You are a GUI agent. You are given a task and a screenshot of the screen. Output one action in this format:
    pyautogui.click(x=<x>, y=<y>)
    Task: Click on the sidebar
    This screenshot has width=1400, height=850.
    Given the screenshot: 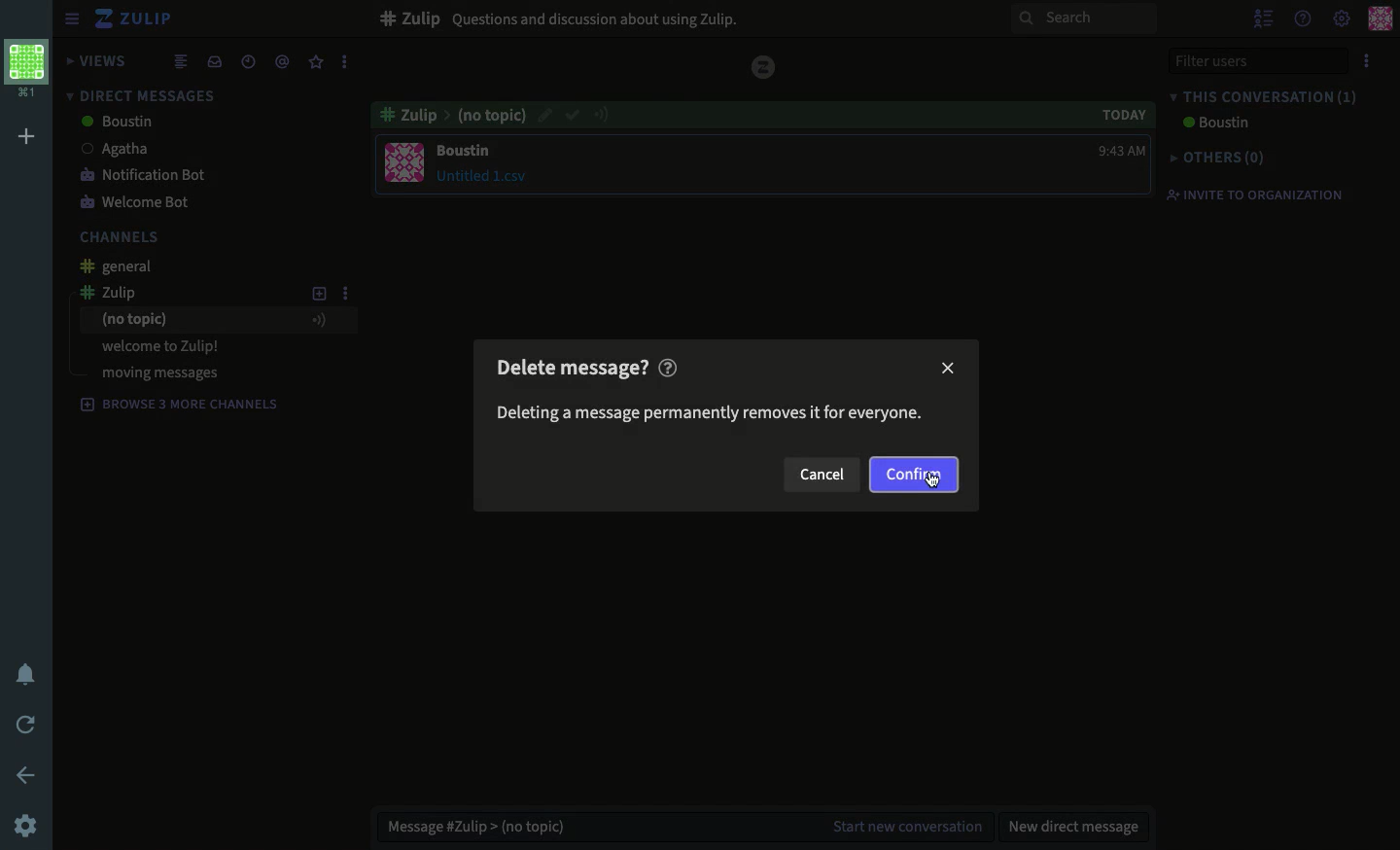 What is the action you would take?
    pyautogui.click(x=71, y=18)
    